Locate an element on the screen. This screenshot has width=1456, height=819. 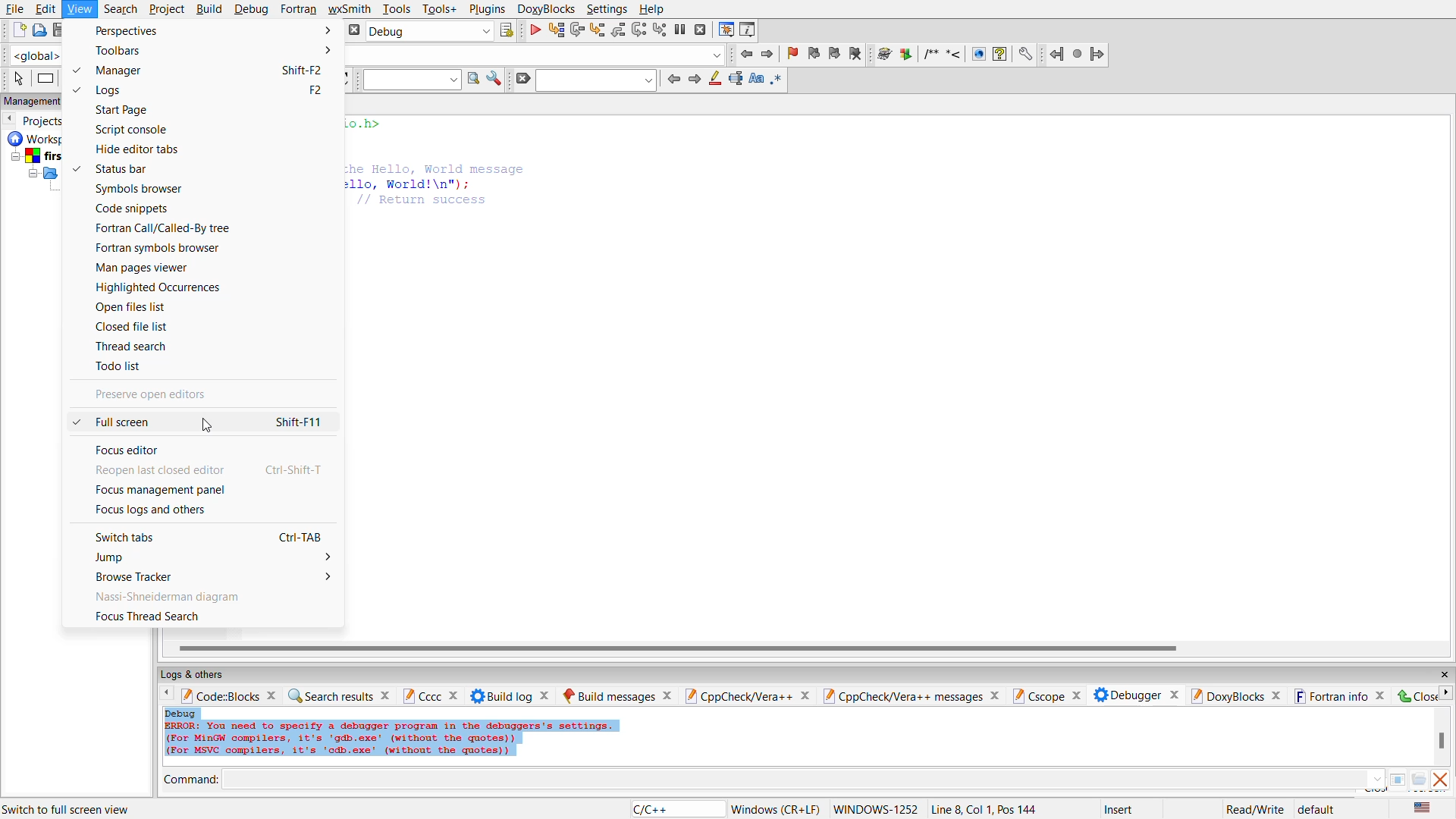
next is located at coordinates (695, 80).